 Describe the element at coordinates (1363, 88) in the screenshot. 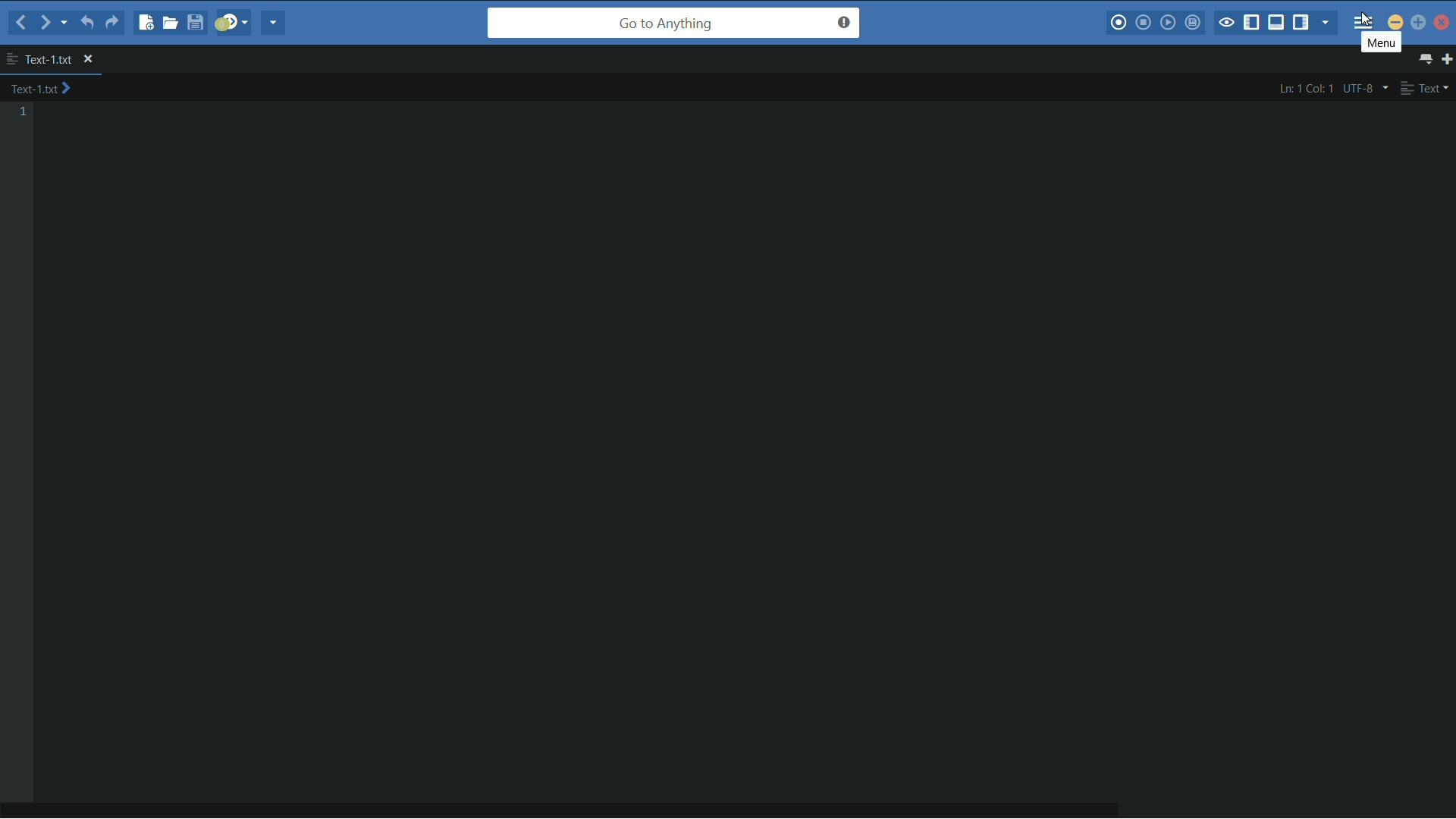

I see `UTF-8` at that location.